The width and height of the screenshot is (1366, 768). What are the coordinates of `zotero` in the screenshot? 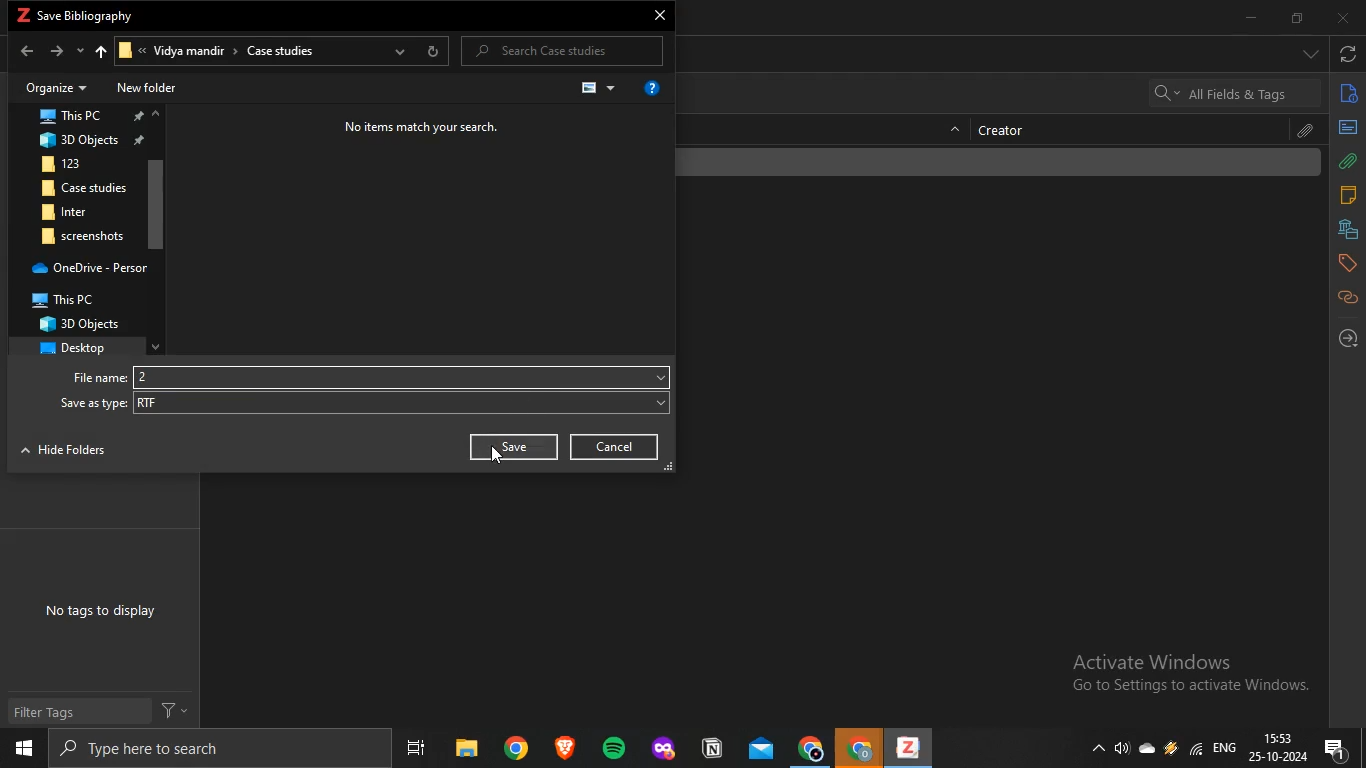 It's located at (24, 18).